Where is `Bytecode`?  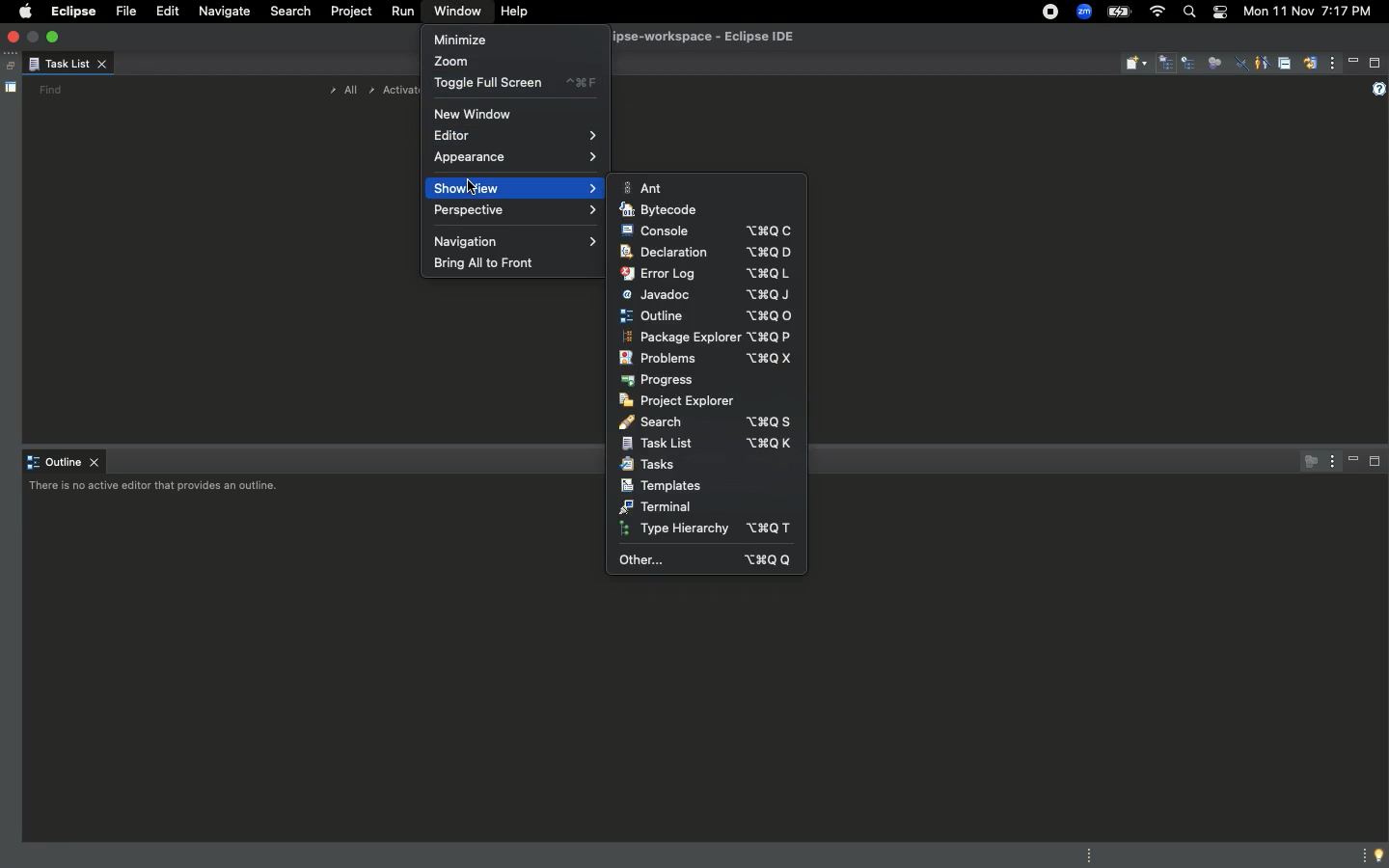
Bytecode is located at coordinates (660, 210).